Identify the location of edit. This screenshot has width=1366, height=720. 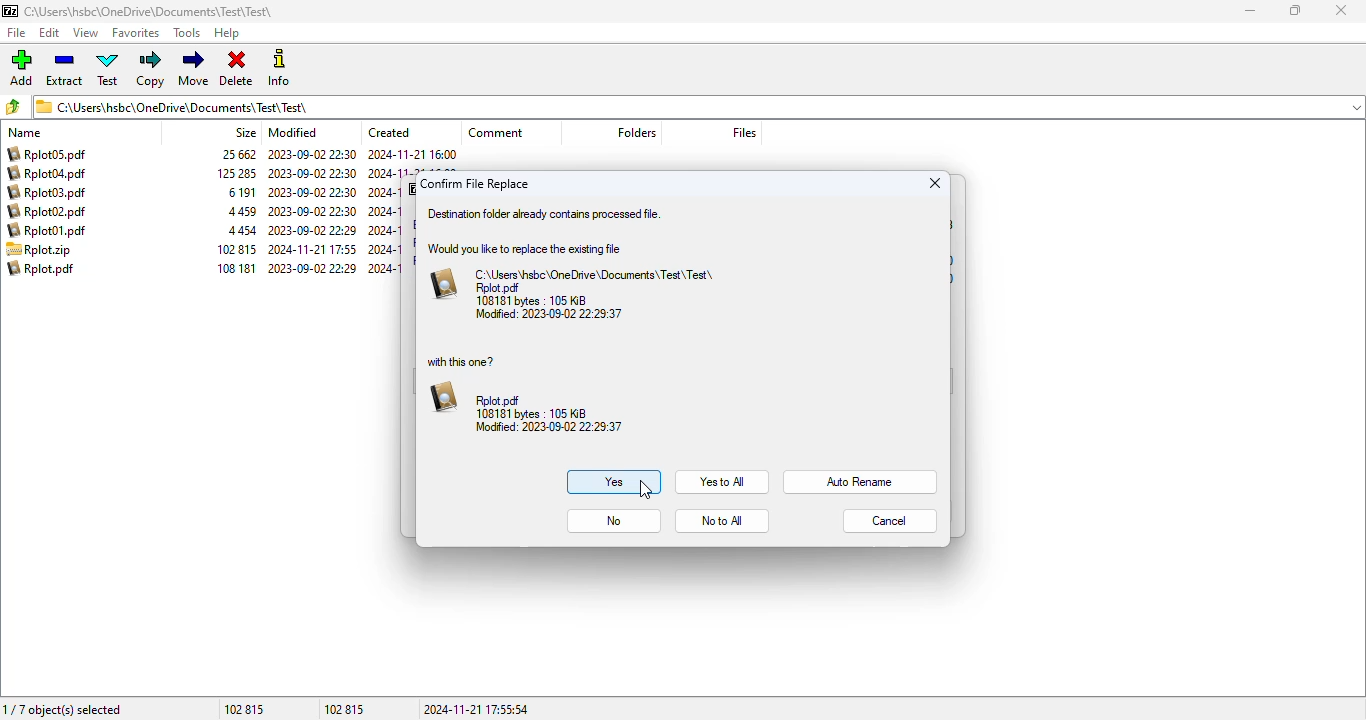
(50, 33).